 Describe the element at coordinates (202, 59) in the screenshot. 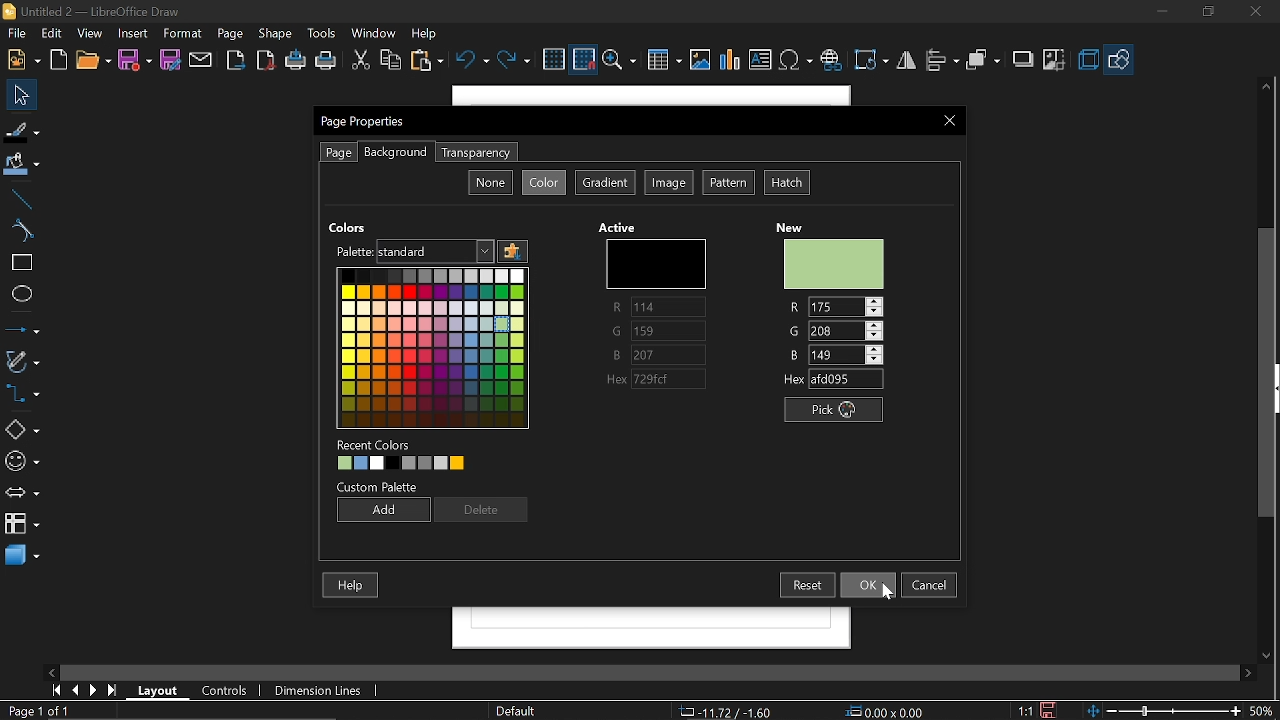

I see `Attach` at that location.